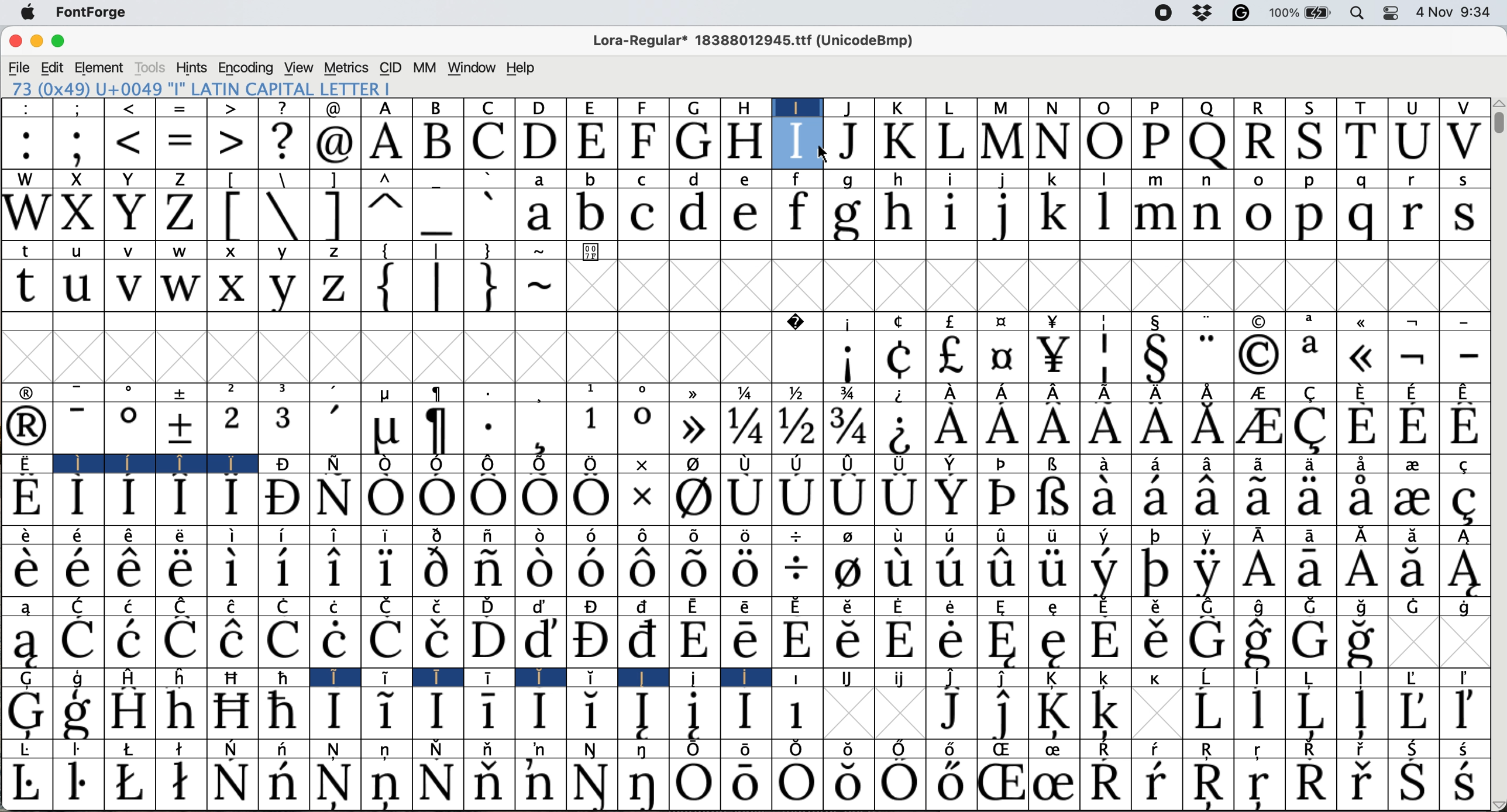  I want to click on maximize, so click(59, 41).